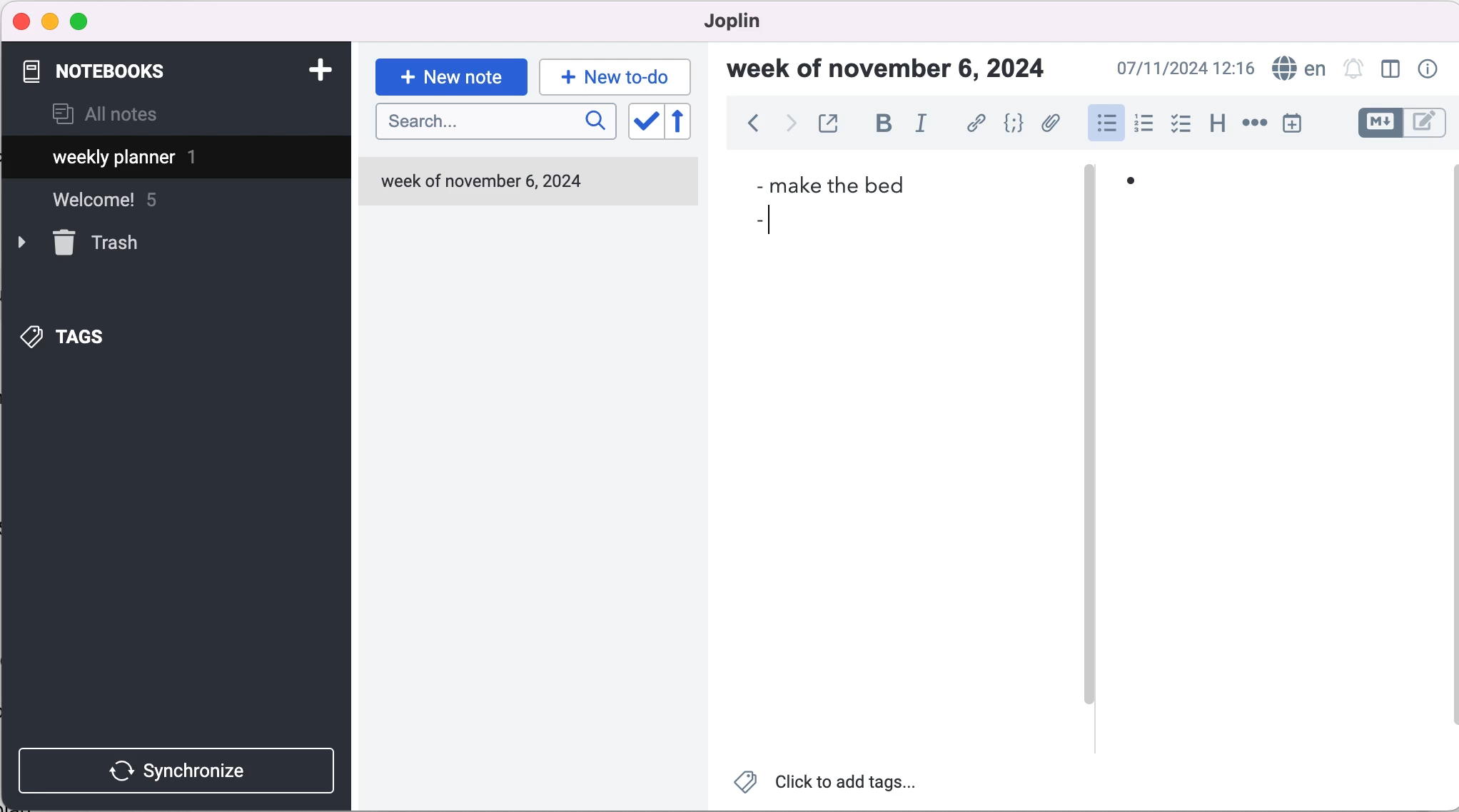 The height and width of the screenshot is (812, 1459). What do you see at coordinates (752, 127) in the screenshot?
I see `back` at bounding box center [752, 127].